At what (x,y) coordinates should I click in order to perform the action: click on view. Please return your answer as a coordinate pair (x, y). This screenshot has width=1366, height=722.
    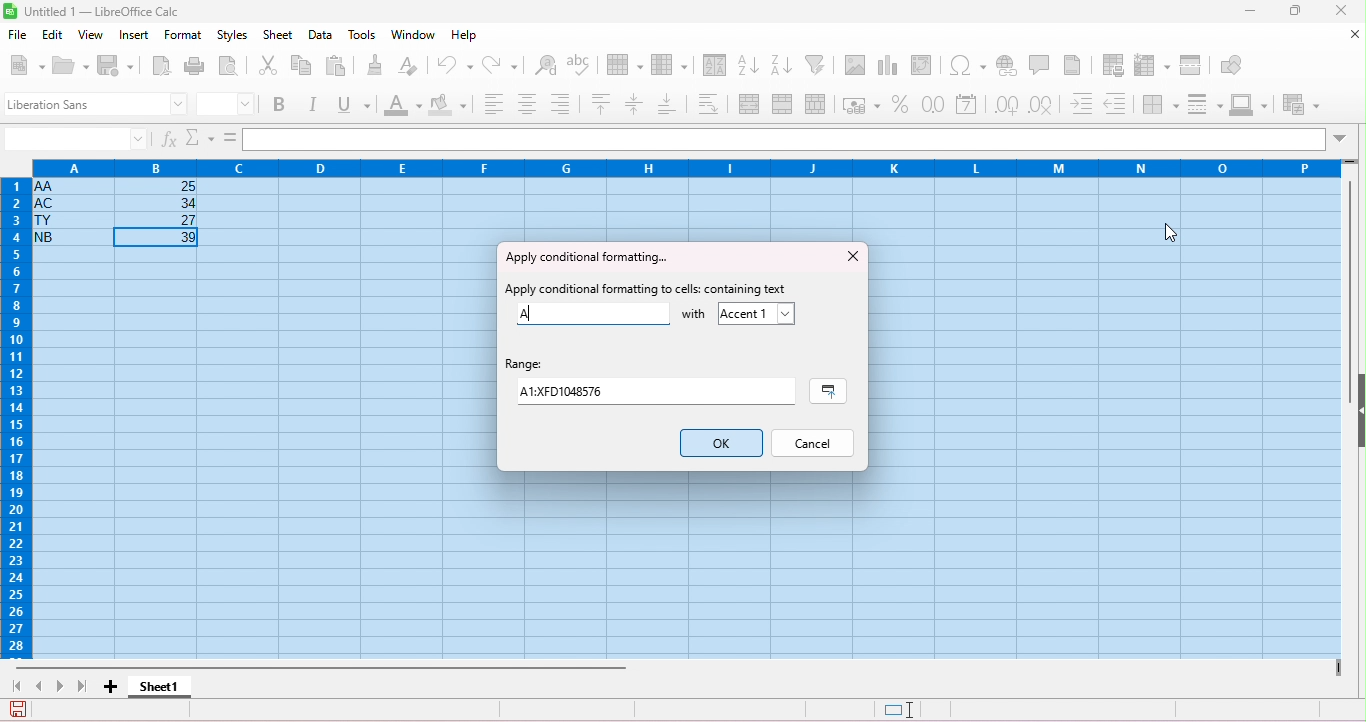
    Looking at the image, I should click on (90, 36).